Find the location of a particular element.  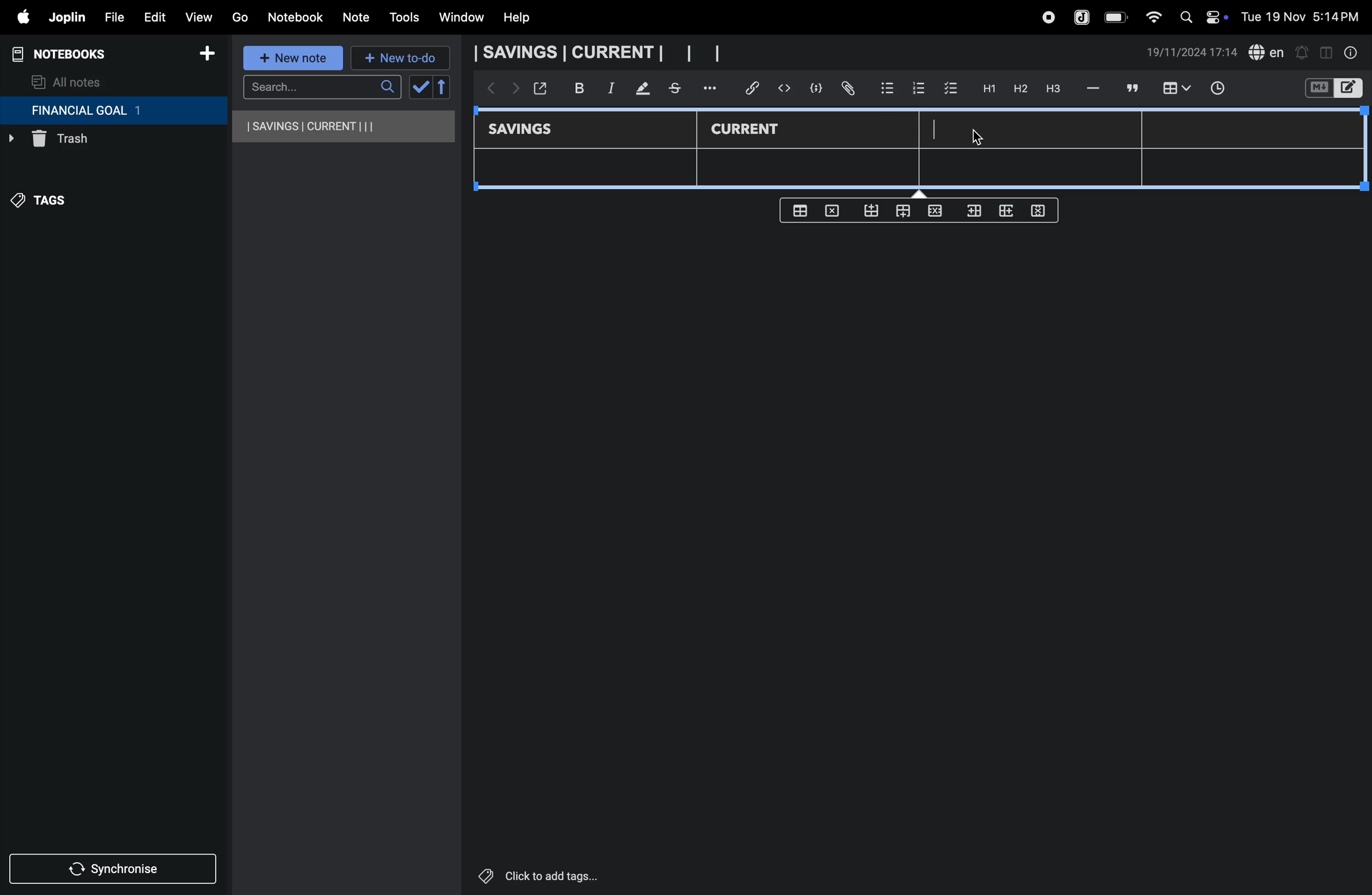

switch editor is located at coordinates (1332, 88).